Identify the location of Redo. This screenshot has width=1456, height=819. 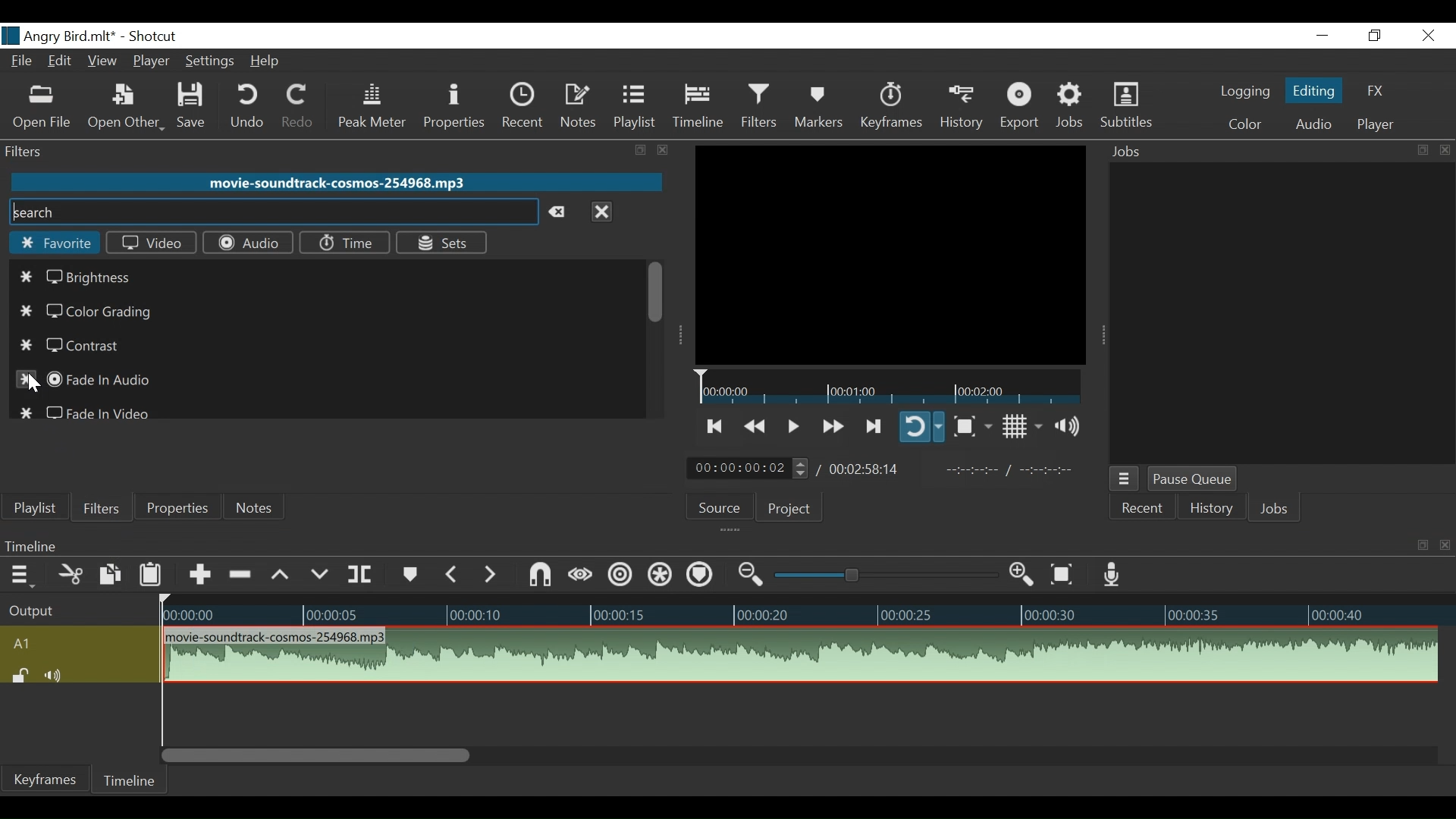
(293, 107).